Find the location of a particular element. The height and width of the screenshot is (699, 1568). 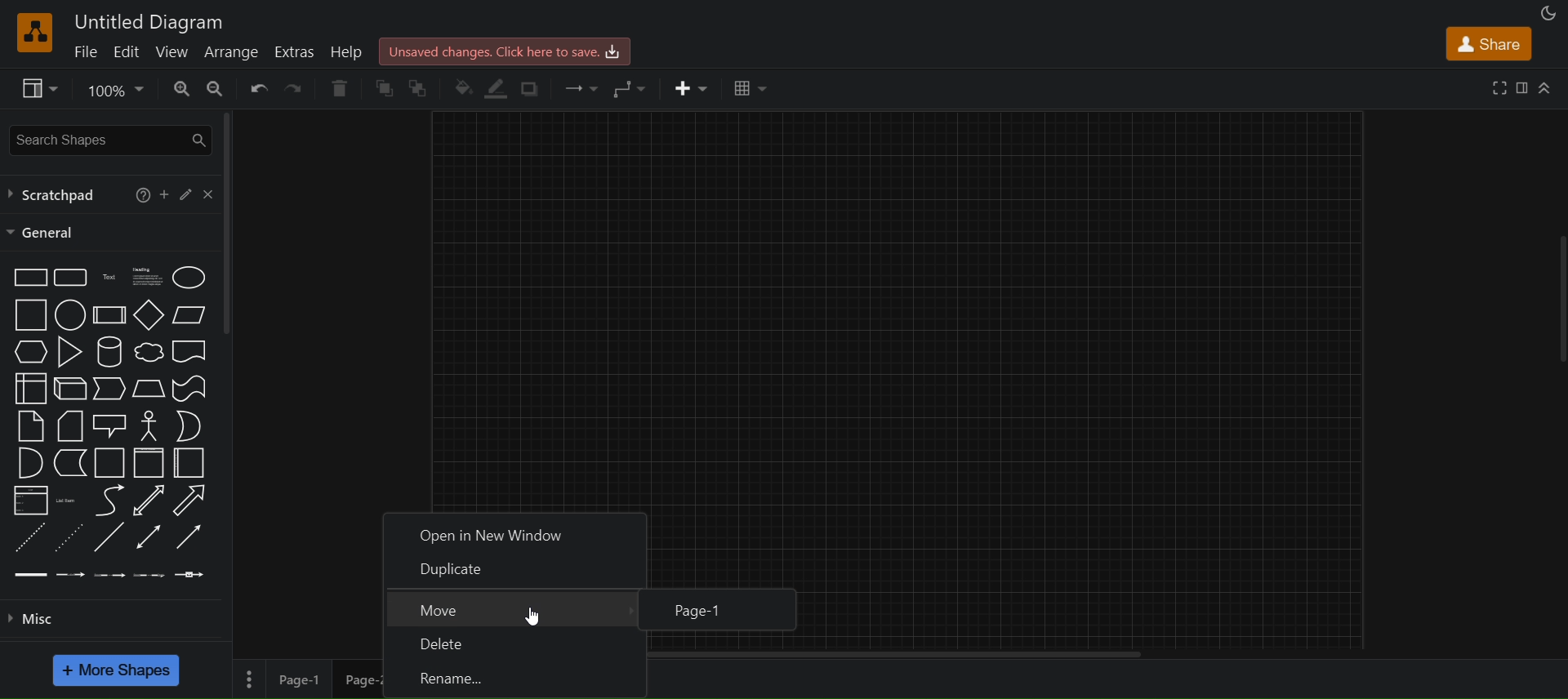

insert is located at coordinates (692, 87).